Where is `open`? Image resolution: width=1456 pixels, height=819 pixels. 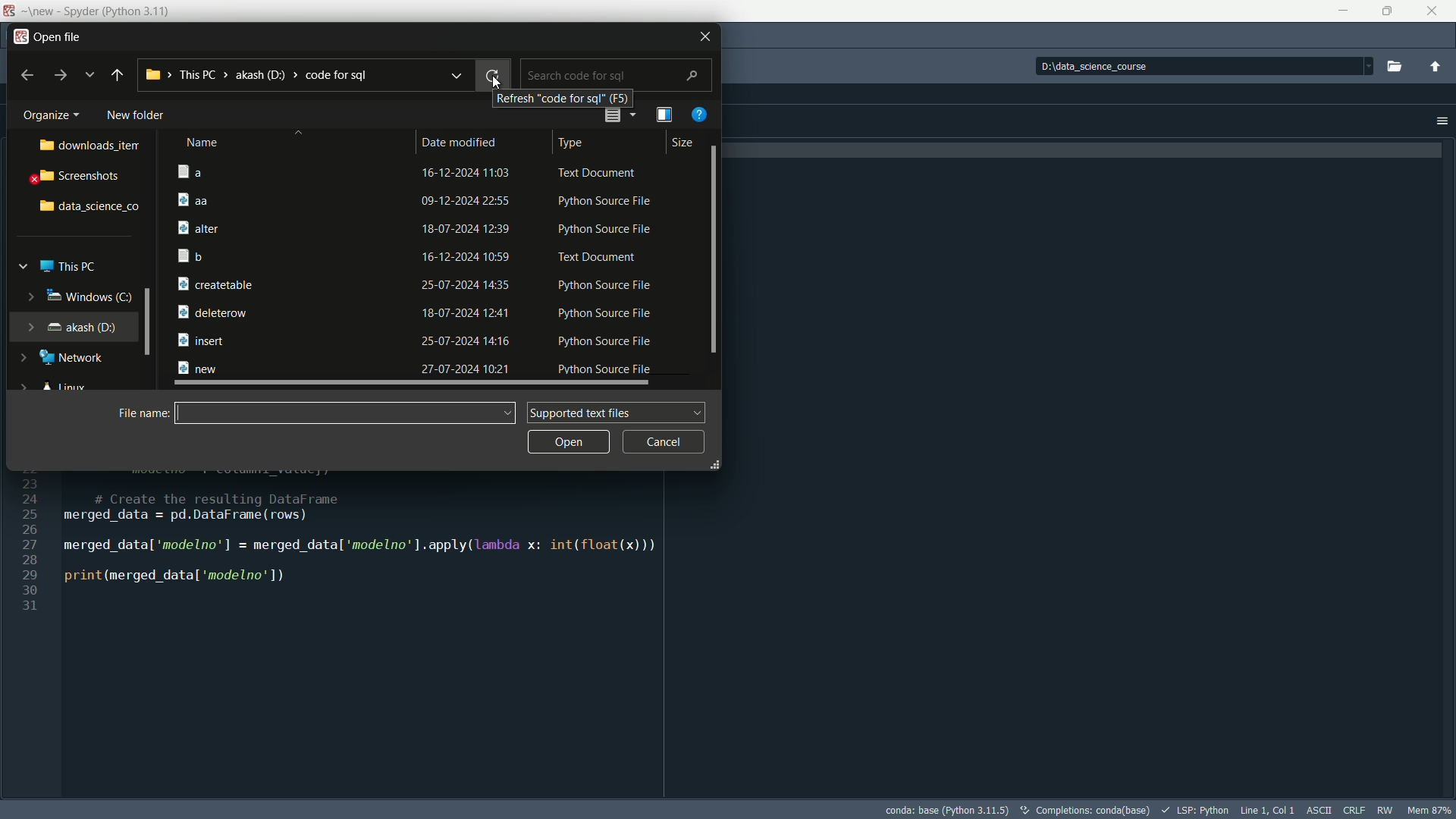 open is located at coordinates (569, 442).